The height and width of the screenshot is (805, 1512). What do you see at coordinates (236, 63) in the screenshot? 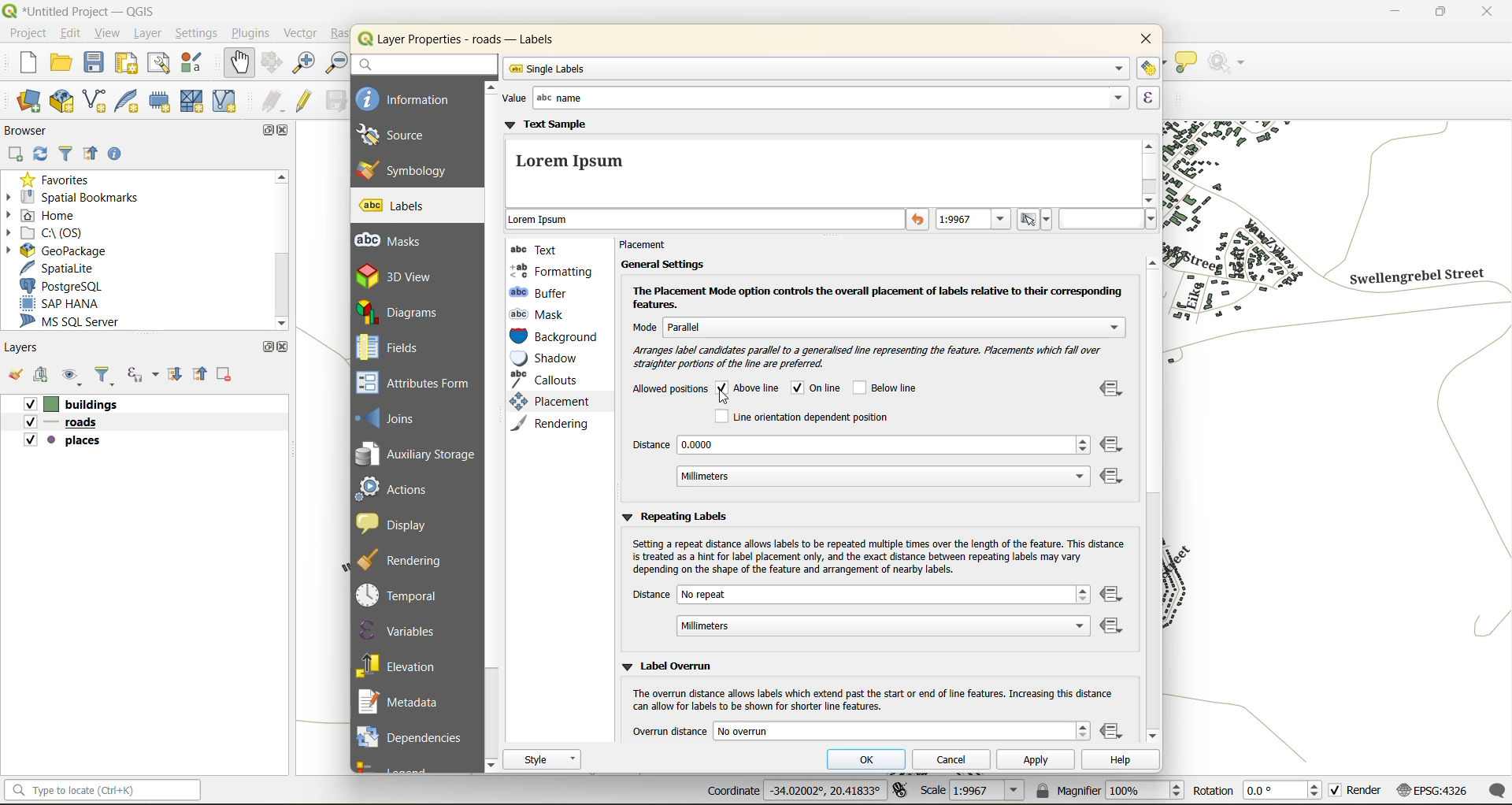
I see `pan map` at bounding box center [236, 63].